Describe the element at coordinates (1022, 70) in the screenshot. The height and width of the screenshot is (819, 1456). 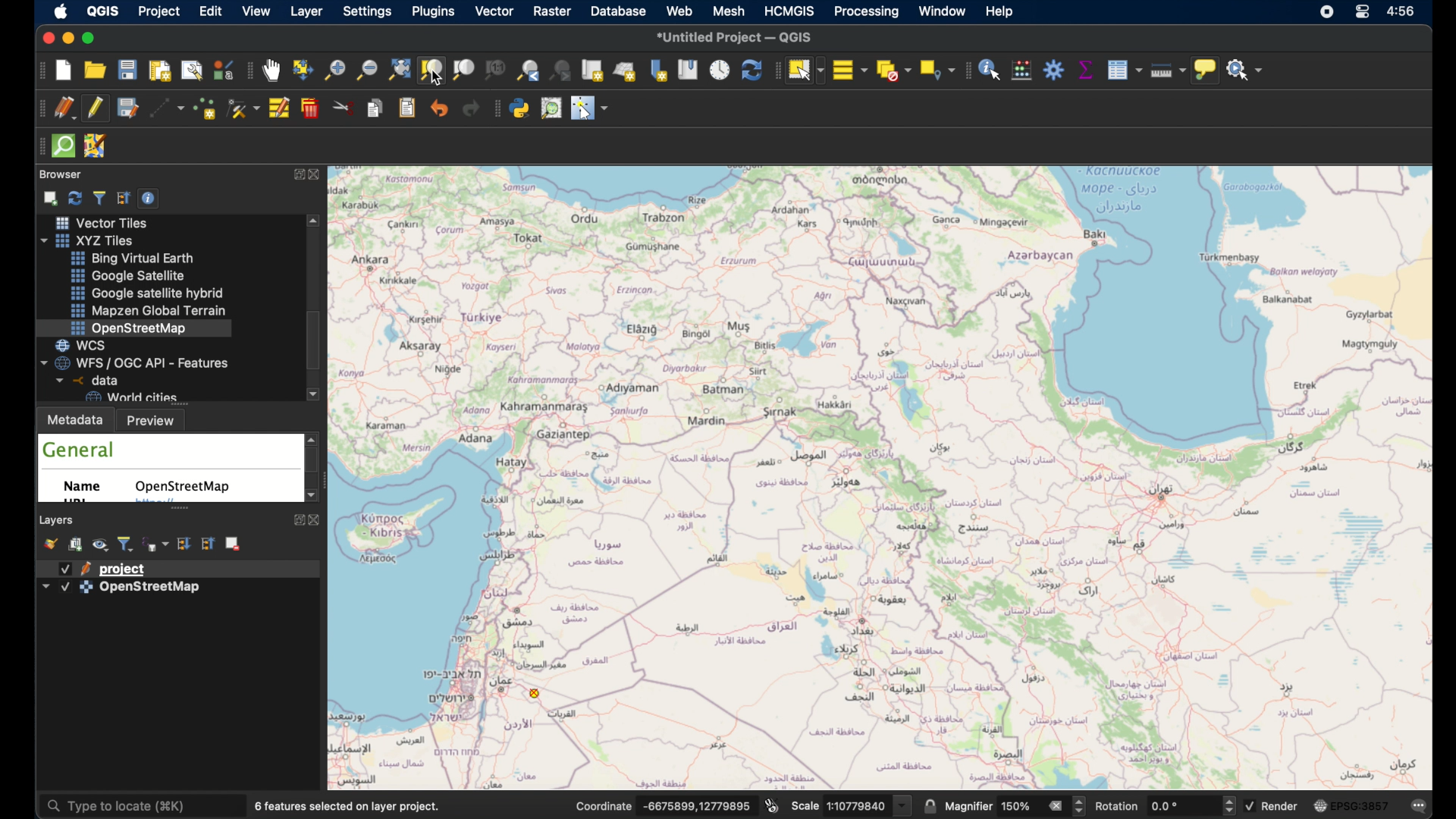
I see `open field calculator` at that location.